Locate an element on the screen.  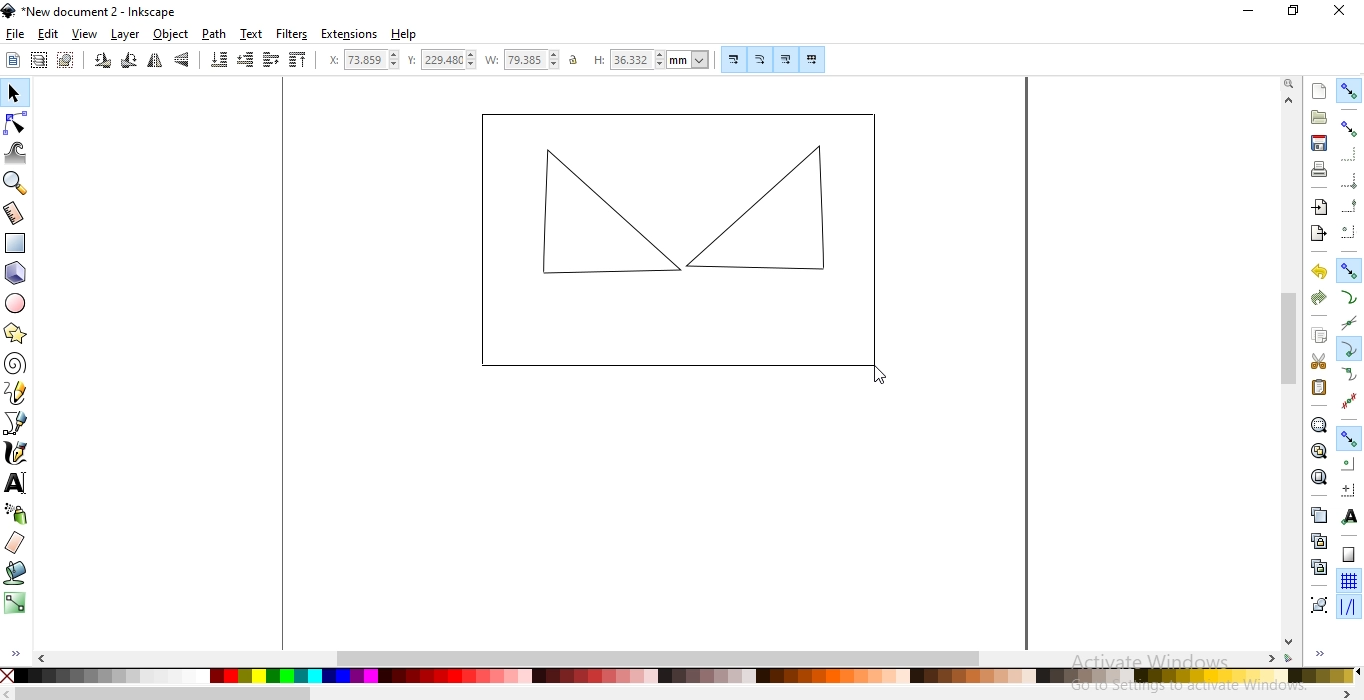
when scaling rectangles, scale the radii of rounded corners is located at coordinates (760, 60).